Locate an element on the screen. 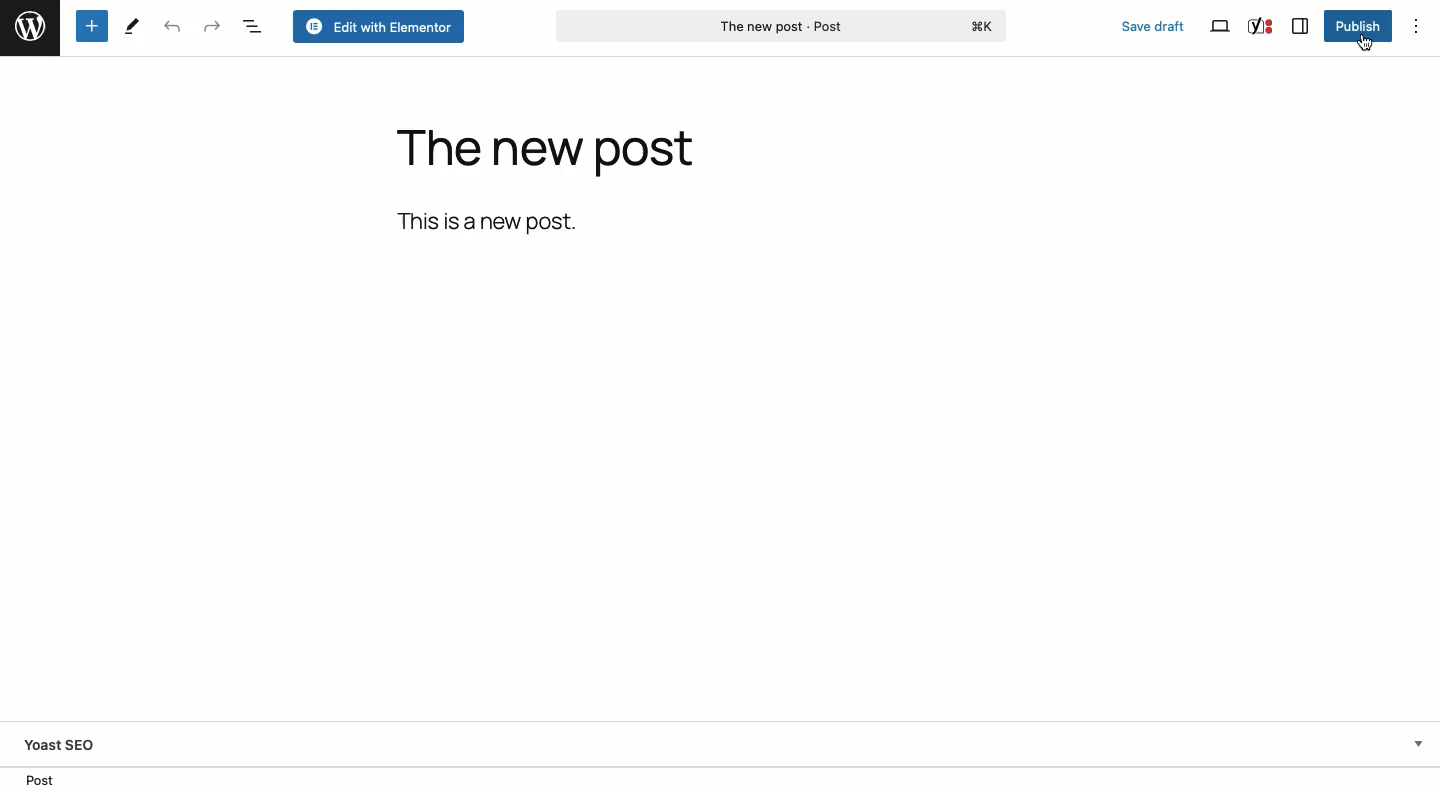  This is a new post. is located at coordinates (492, 221).